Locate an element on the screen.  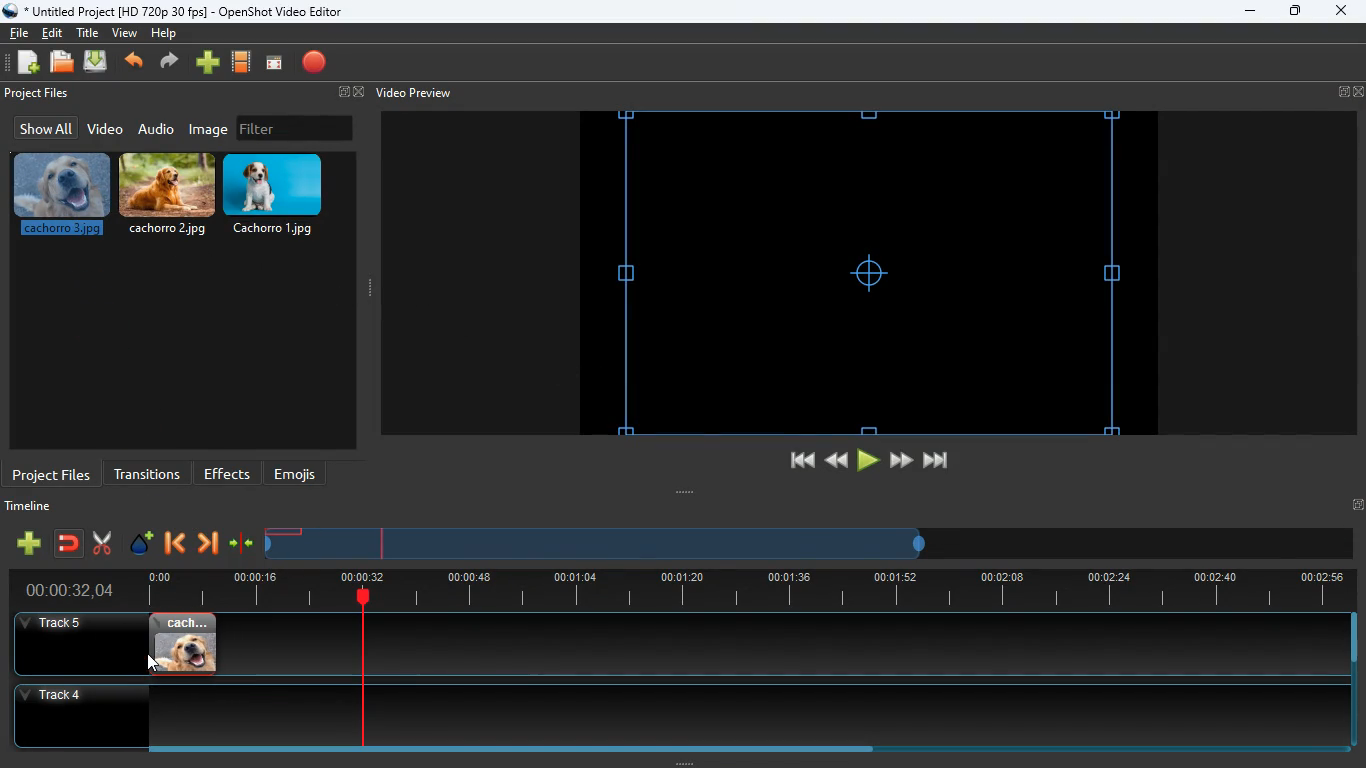
back is located at coordinates (834, 460).